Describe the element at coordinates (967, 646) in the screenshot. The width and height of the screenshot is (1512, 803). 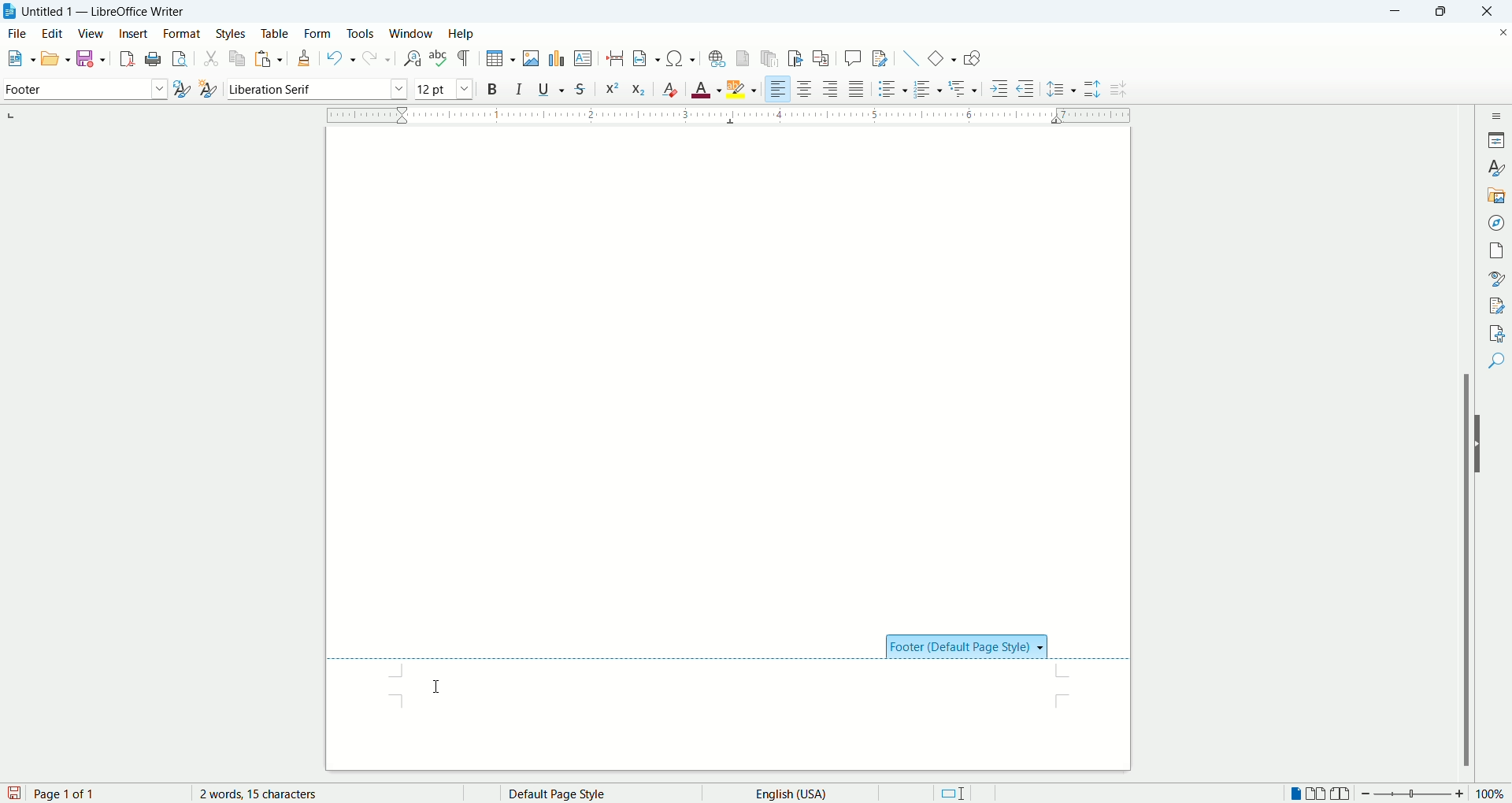
I see `footer style` at that location.